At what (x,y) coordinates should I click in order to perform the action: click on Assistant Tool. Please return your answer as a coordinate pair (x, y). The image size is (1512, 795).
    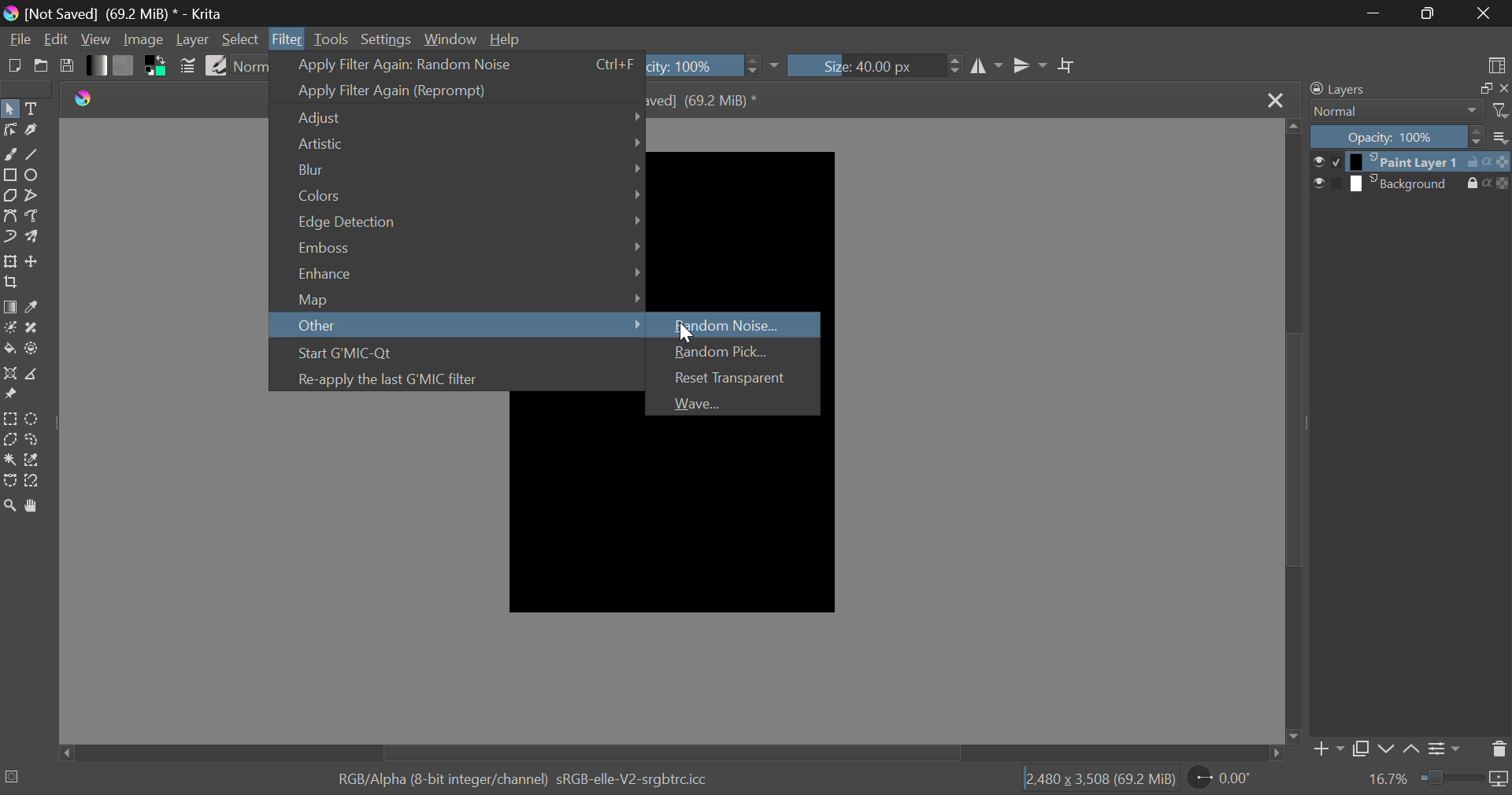
    Looking at the image, I should click on (9, 373).